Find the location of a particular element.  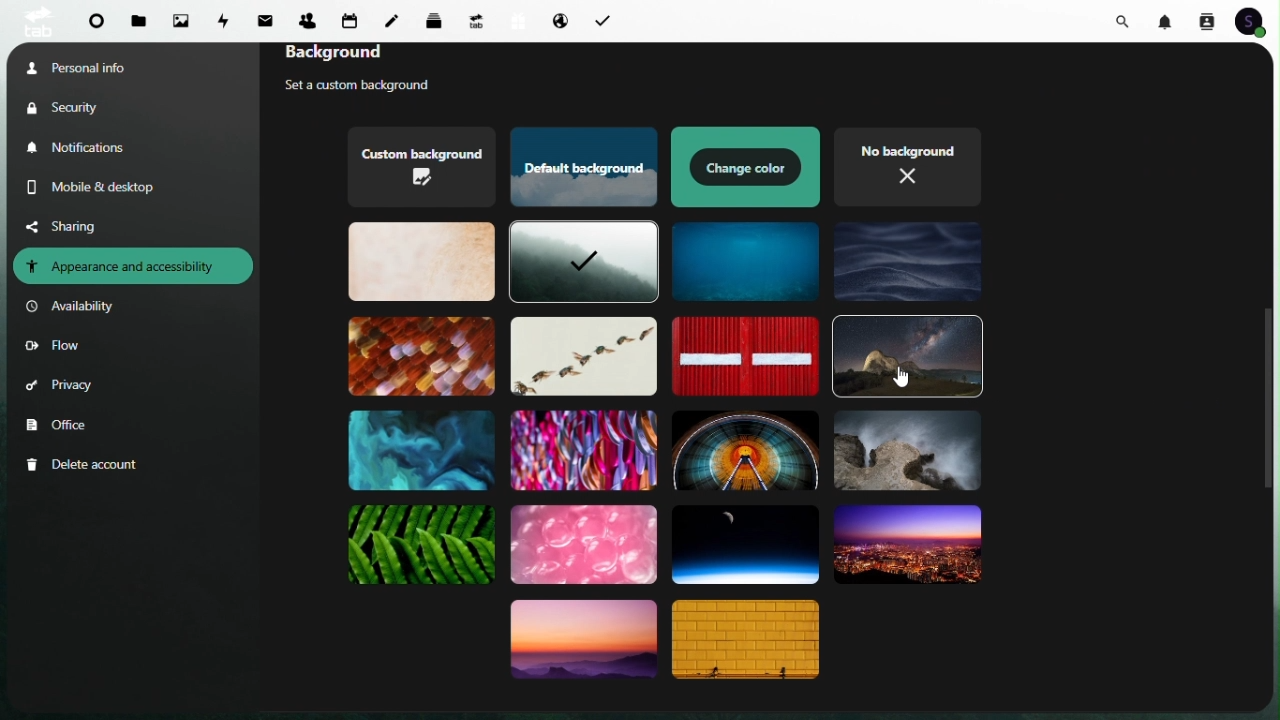

Themes is located at coordinates (744, 542).